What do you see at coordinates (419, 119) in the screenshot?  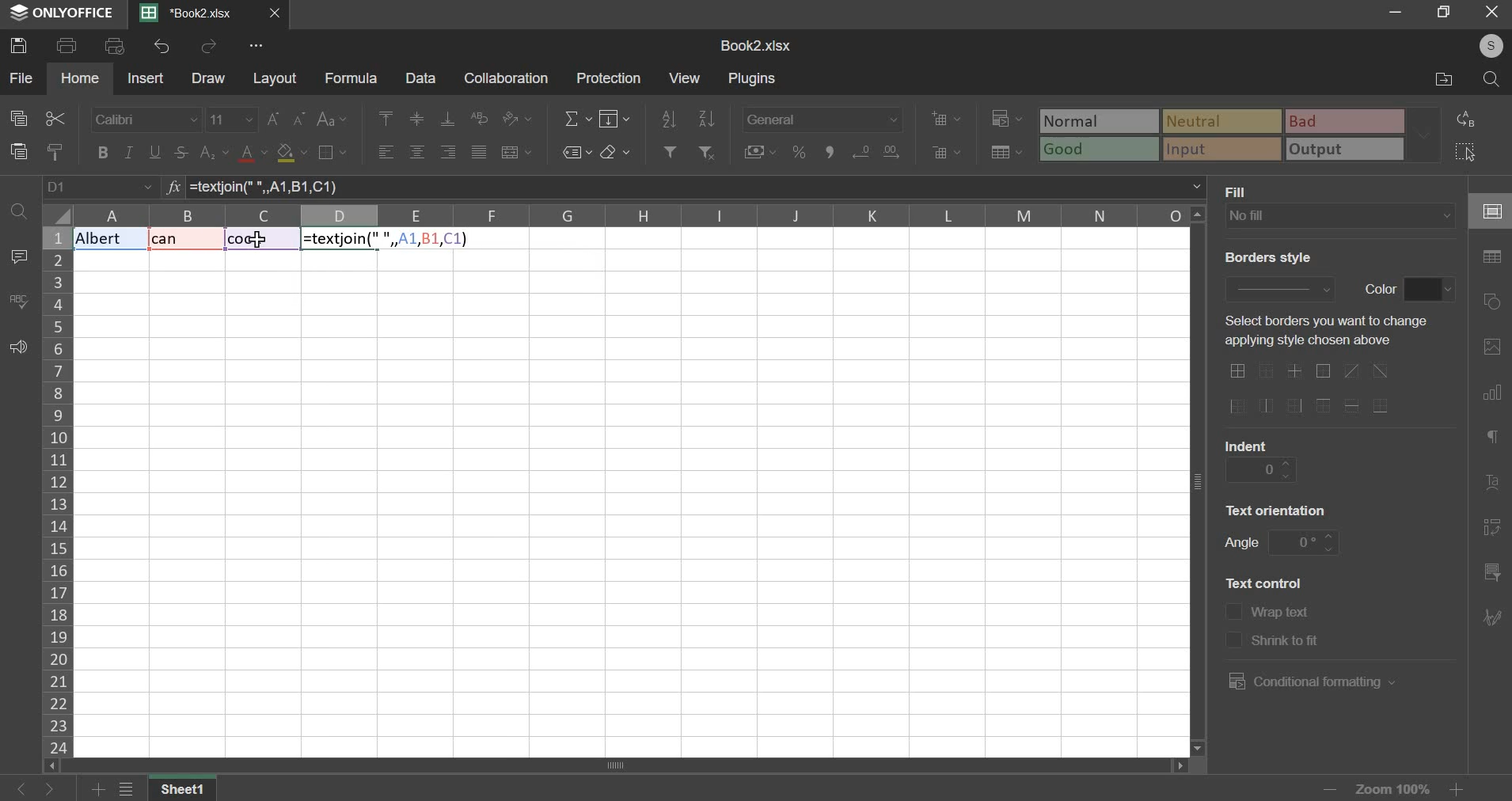 I see `align middle` at bounding box center [419, 119].